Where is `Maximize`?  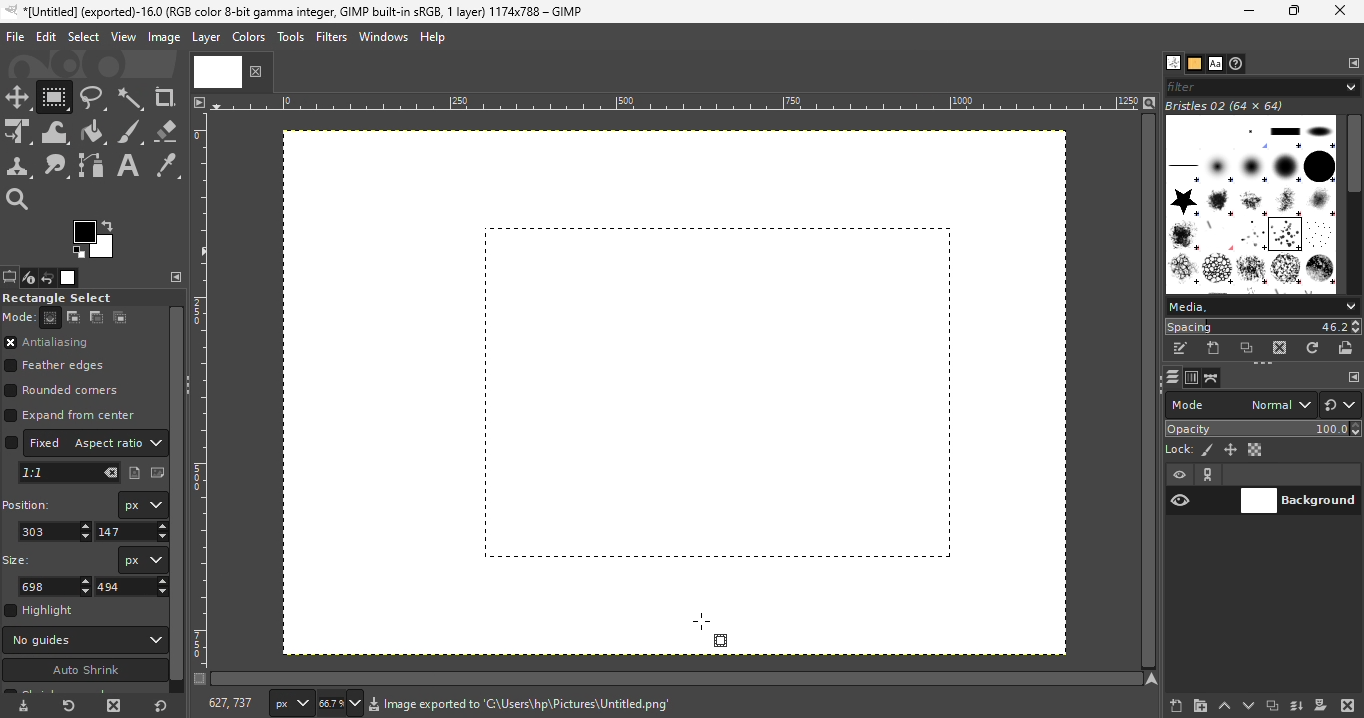
Maximize is located at coordinates (1295, 12).